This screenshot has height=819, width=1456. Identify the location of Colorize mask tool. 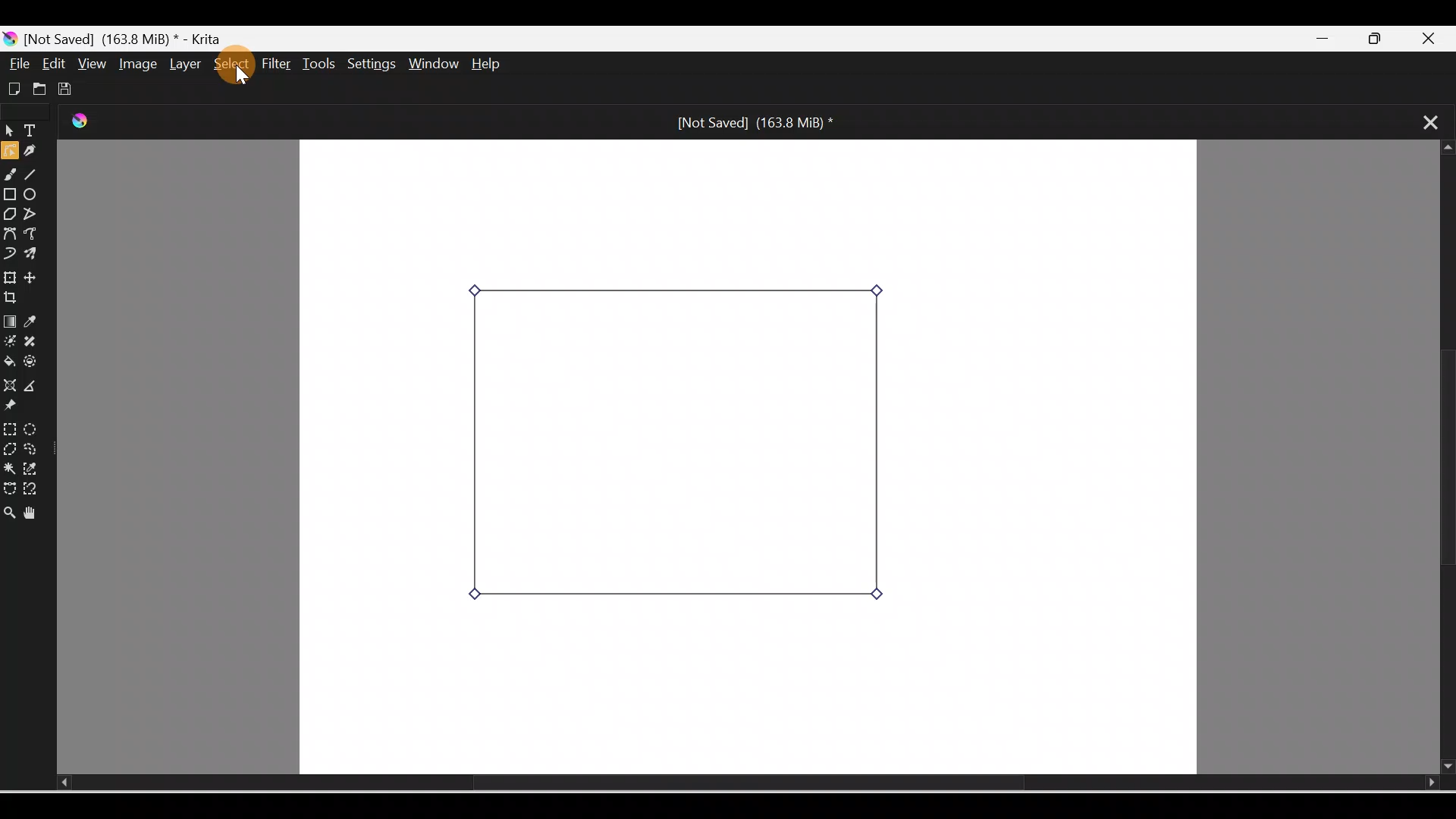
(10, 342).